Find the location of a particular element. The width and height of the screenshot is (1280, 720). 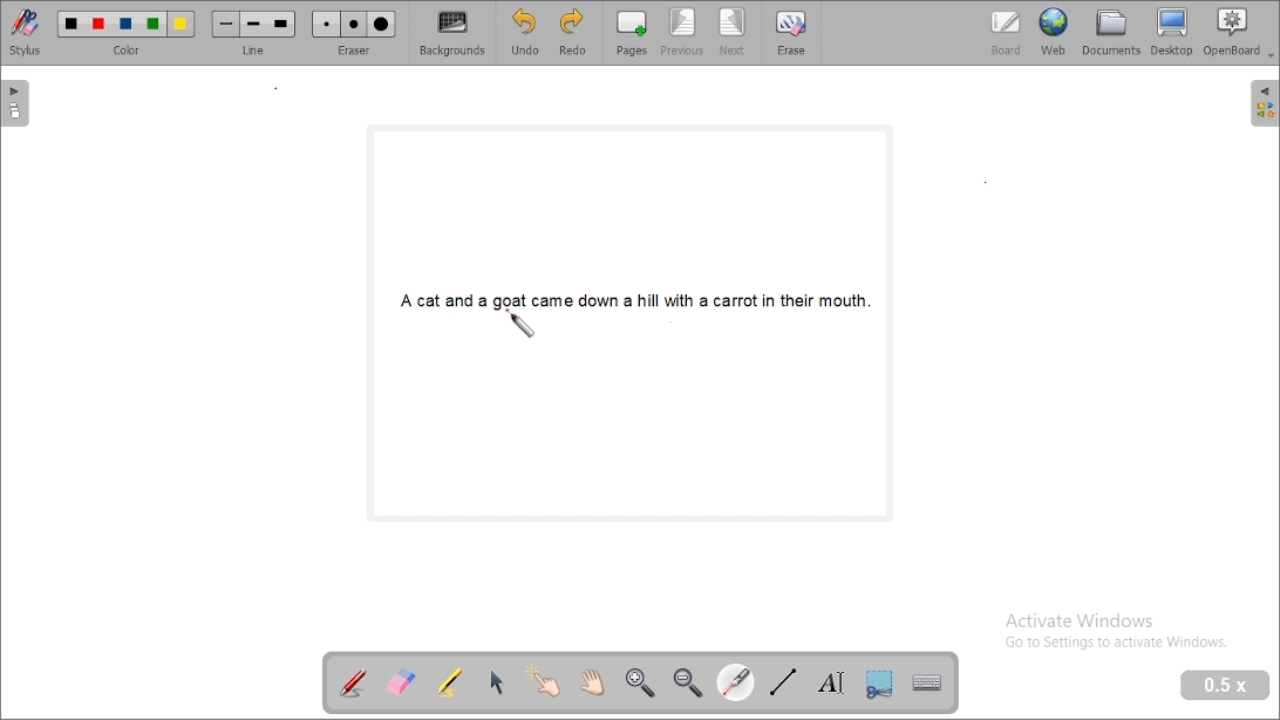

openboard is located at coordinates (1232, 32).